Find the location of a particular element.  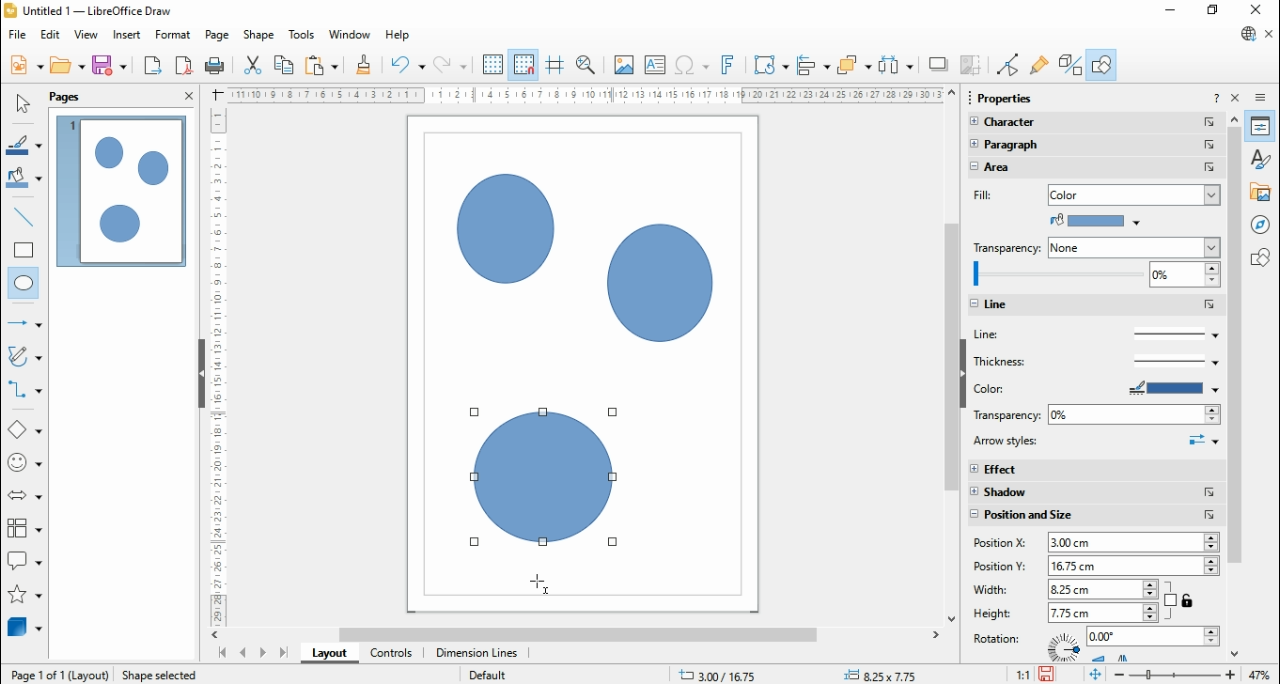

effect is located at coordinates (1095, 468).